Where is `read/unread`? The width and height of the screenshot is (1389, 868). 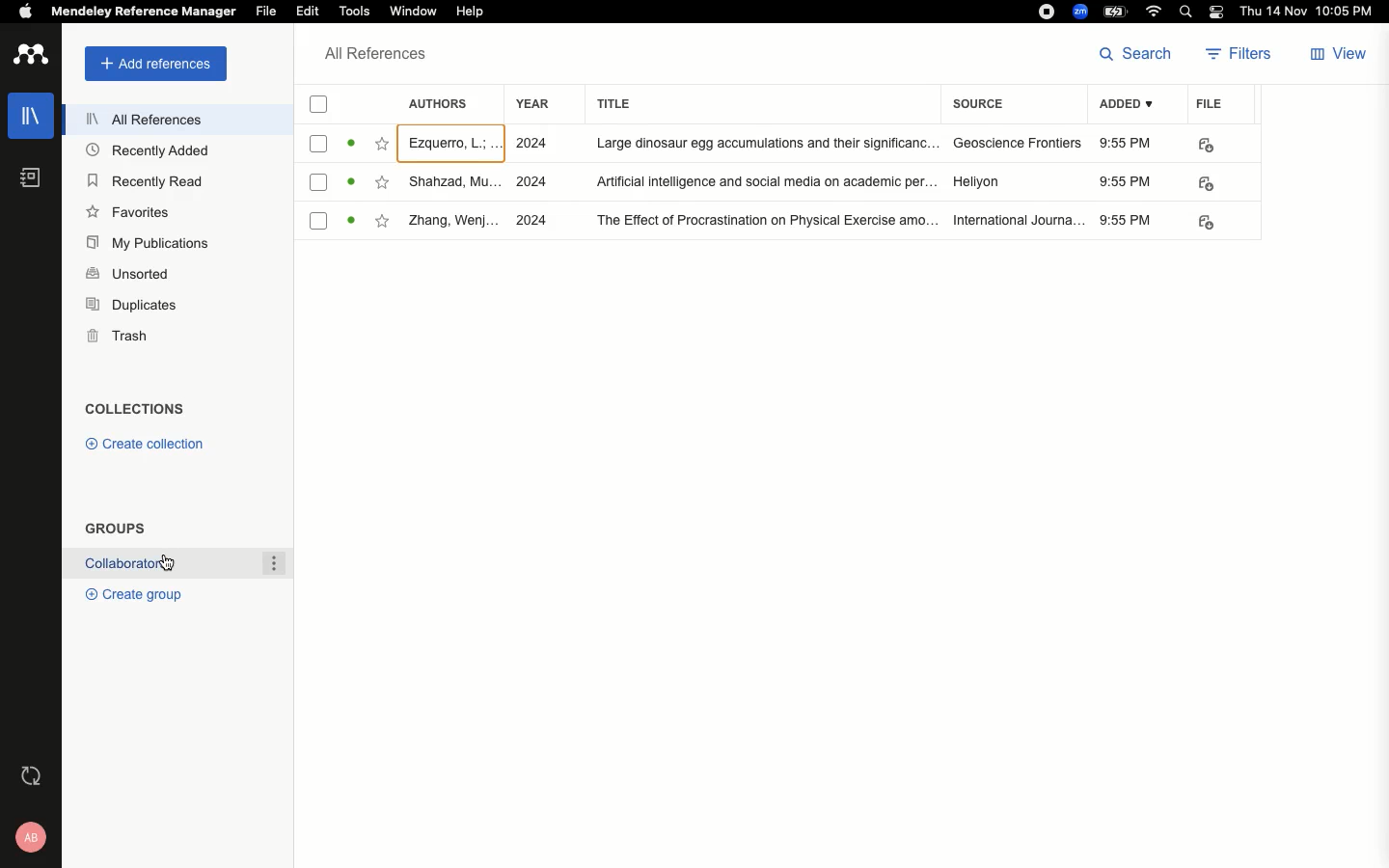 read/unread is located at coordinates (351, 181).